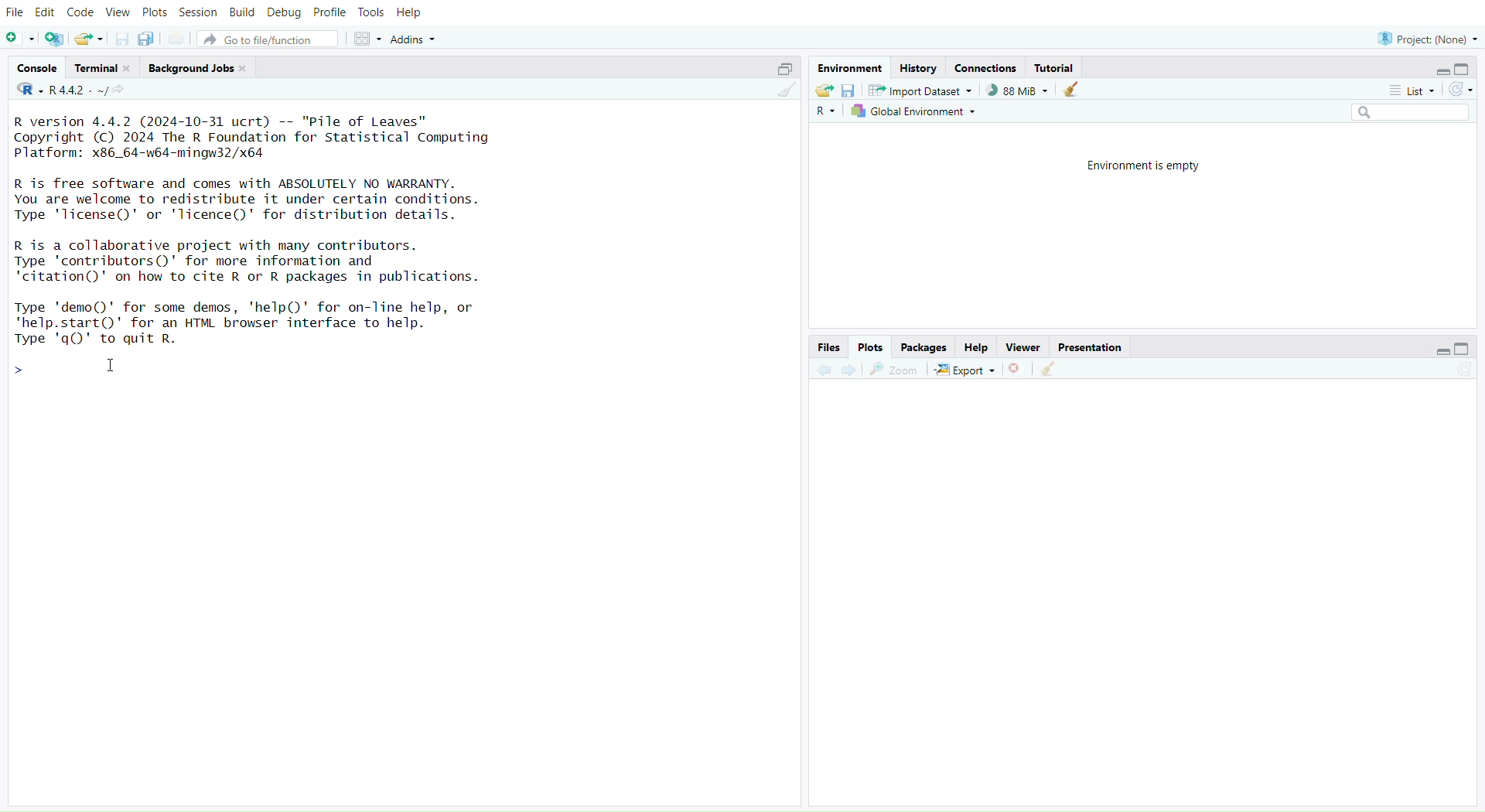  I want to click on files, so click(829, 346).